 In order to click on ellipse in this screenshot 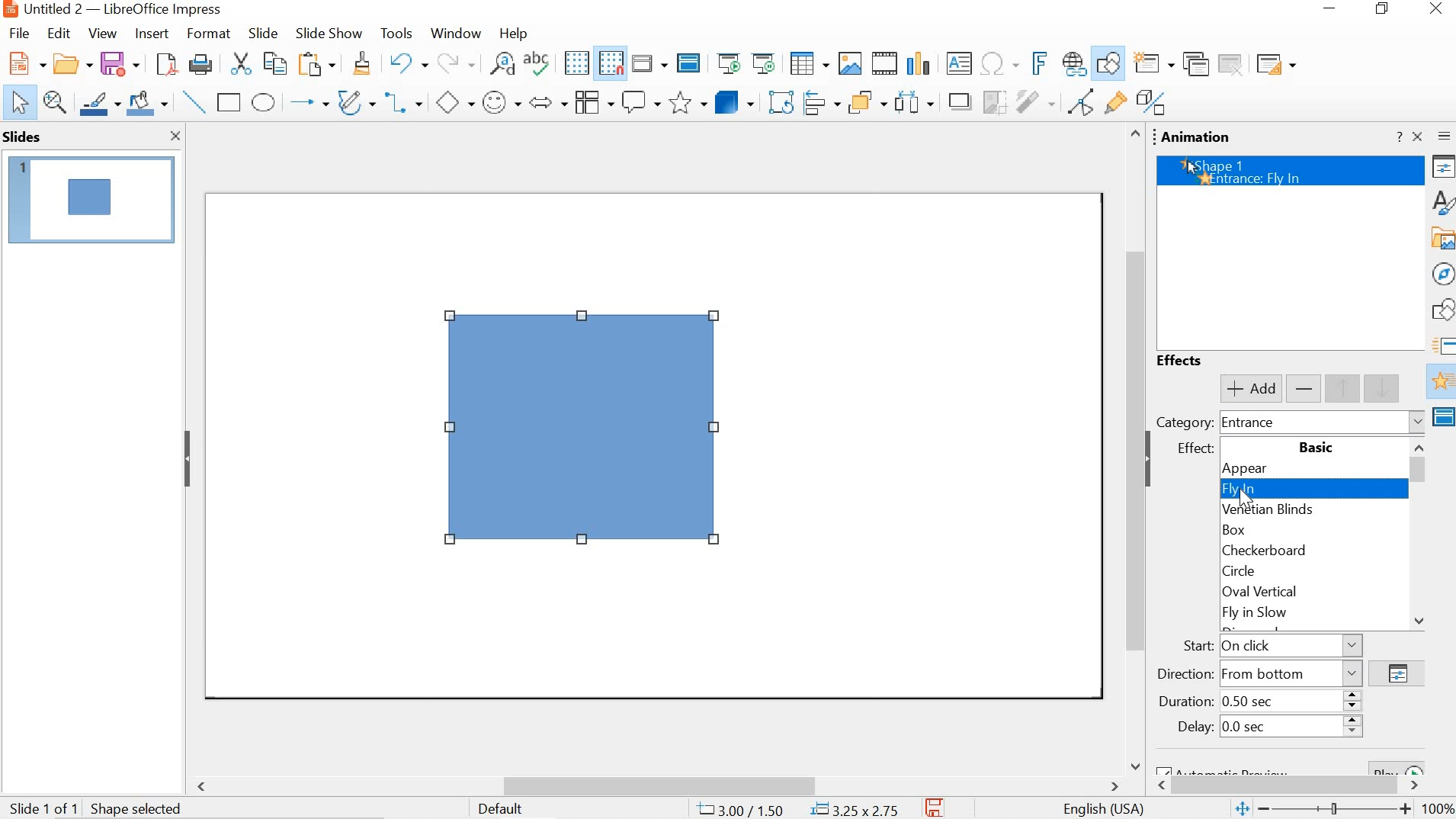, I will do `click(265, 102)`.